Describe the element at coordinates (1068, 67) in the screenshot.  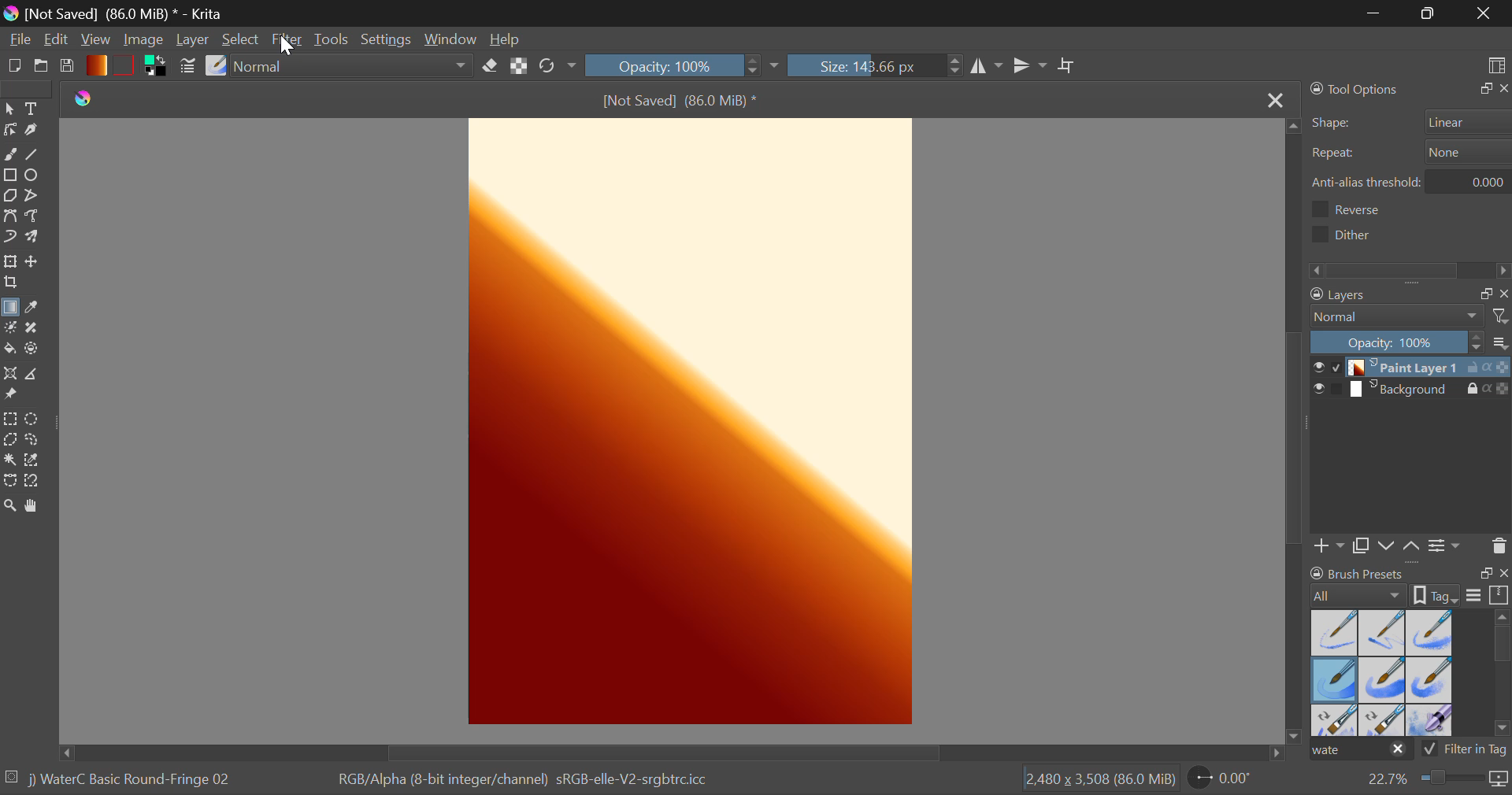
I see `Crop` at that location.